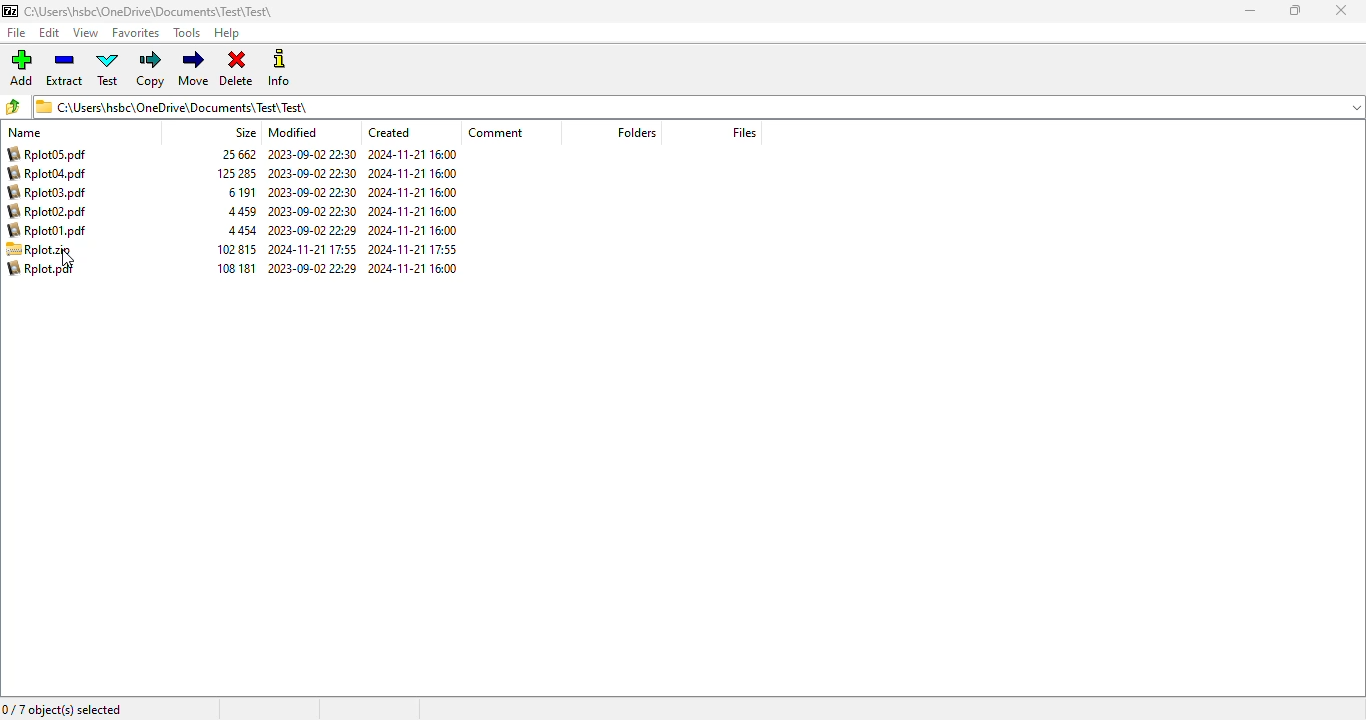 The image size is (1366, 720). I want to click on 2023-09-02 22:30, so click(312, 154).